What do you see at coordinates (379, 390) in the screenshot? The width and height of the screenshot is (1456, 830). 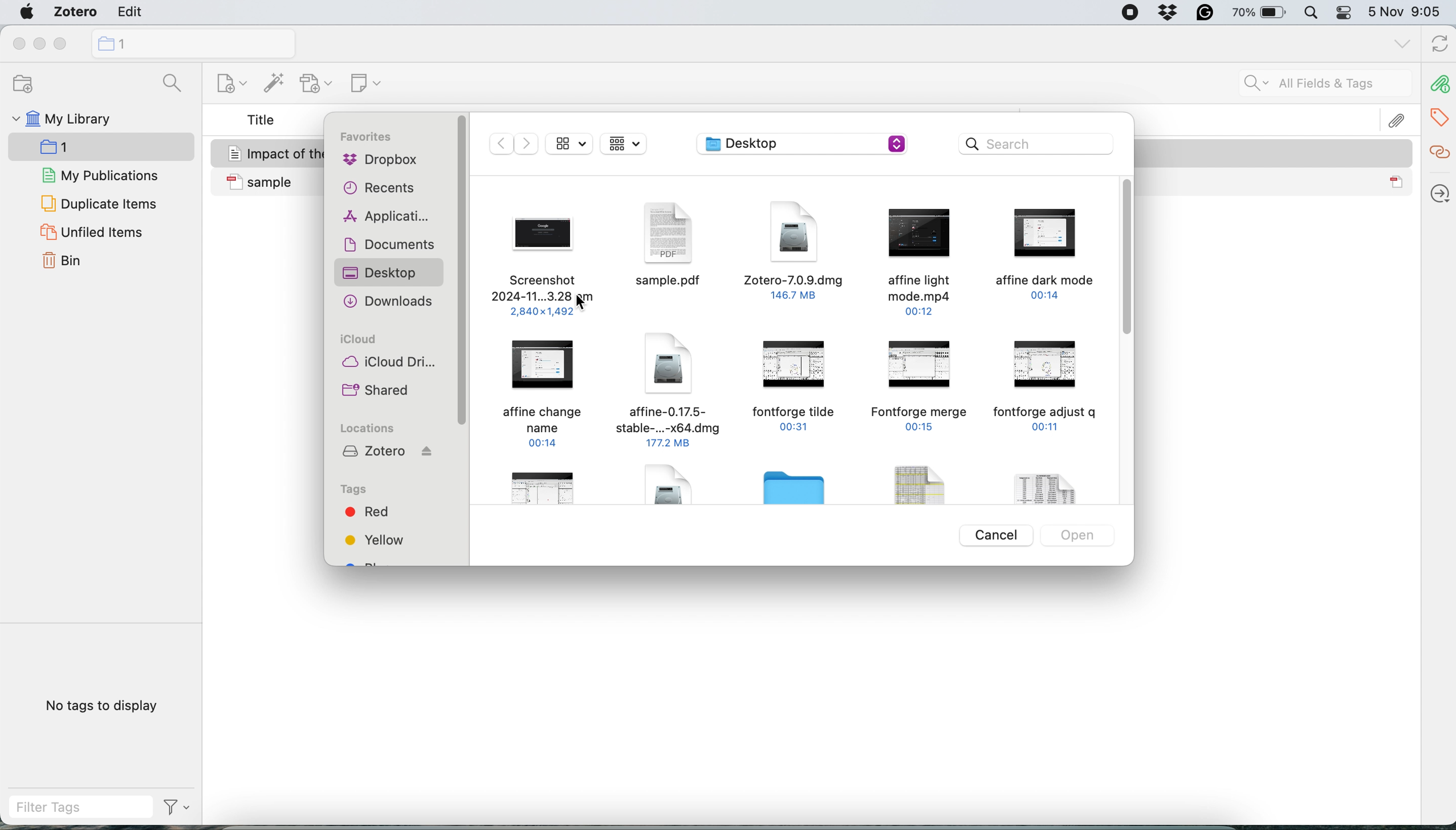 I see `shared` at bounding box center [379, 390].